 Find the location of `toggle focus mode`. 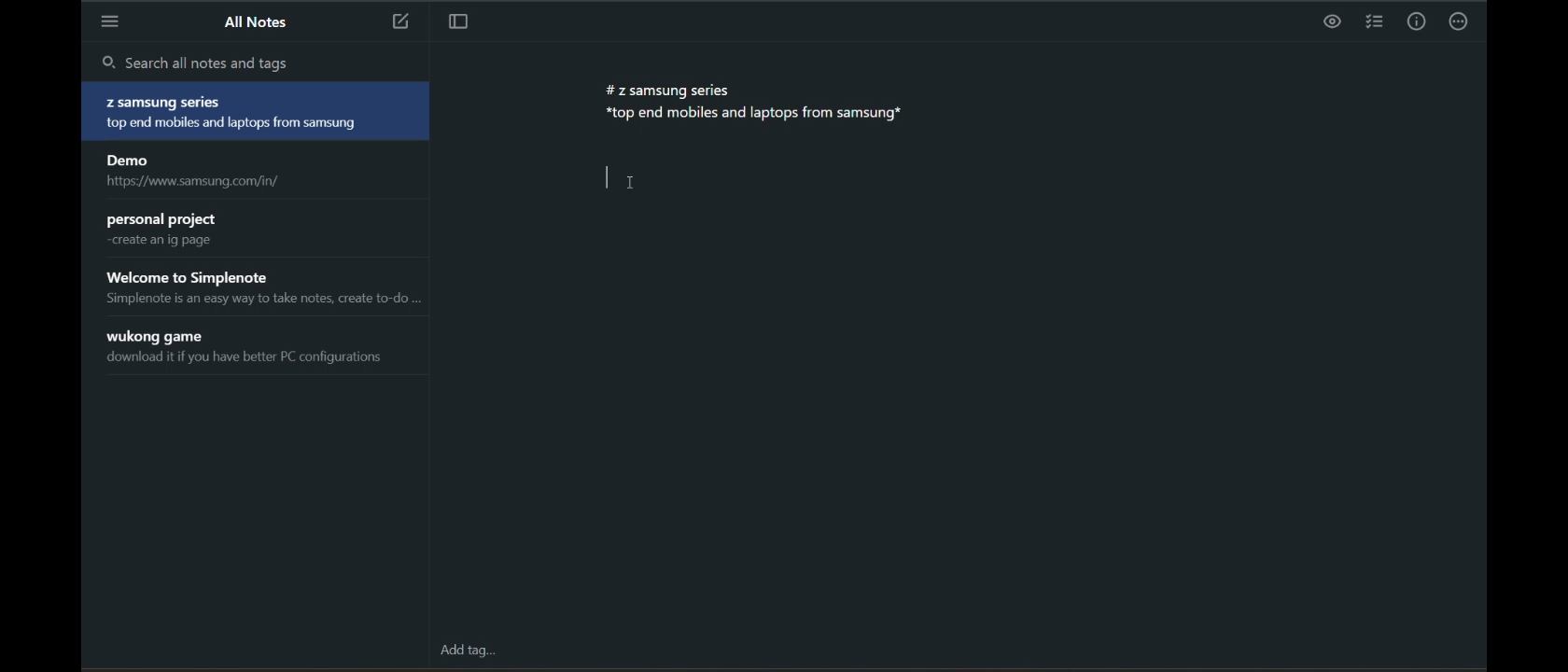

toggle focus mode is located at coordinates (457, 24).